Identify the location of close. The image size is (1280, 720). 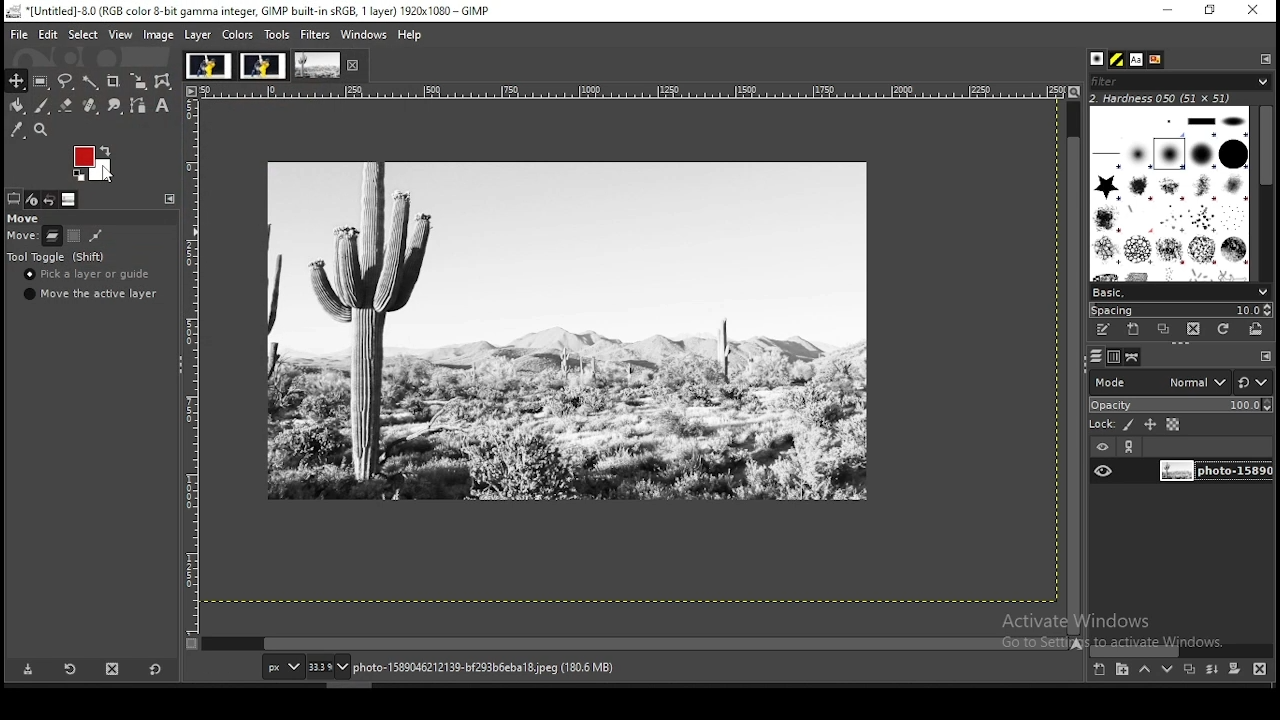
(354, 65).